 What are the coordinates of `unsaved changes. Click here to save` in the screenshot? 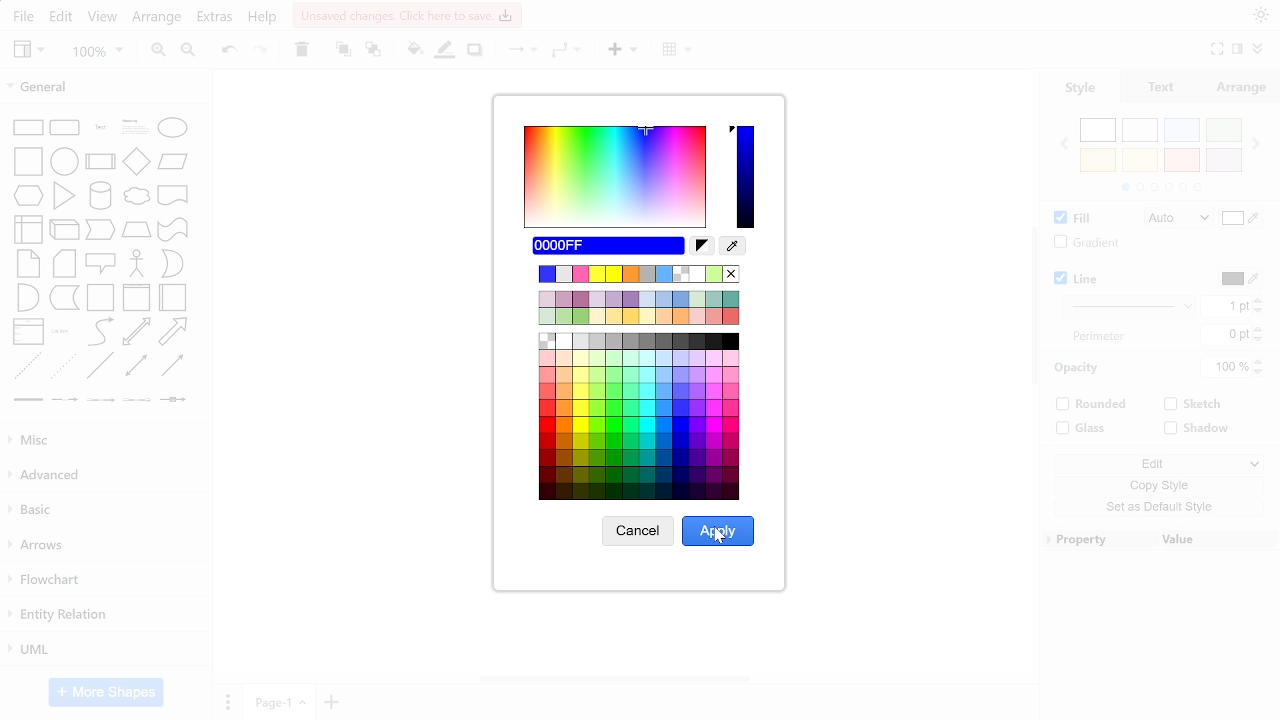 It's located at (406, 15).